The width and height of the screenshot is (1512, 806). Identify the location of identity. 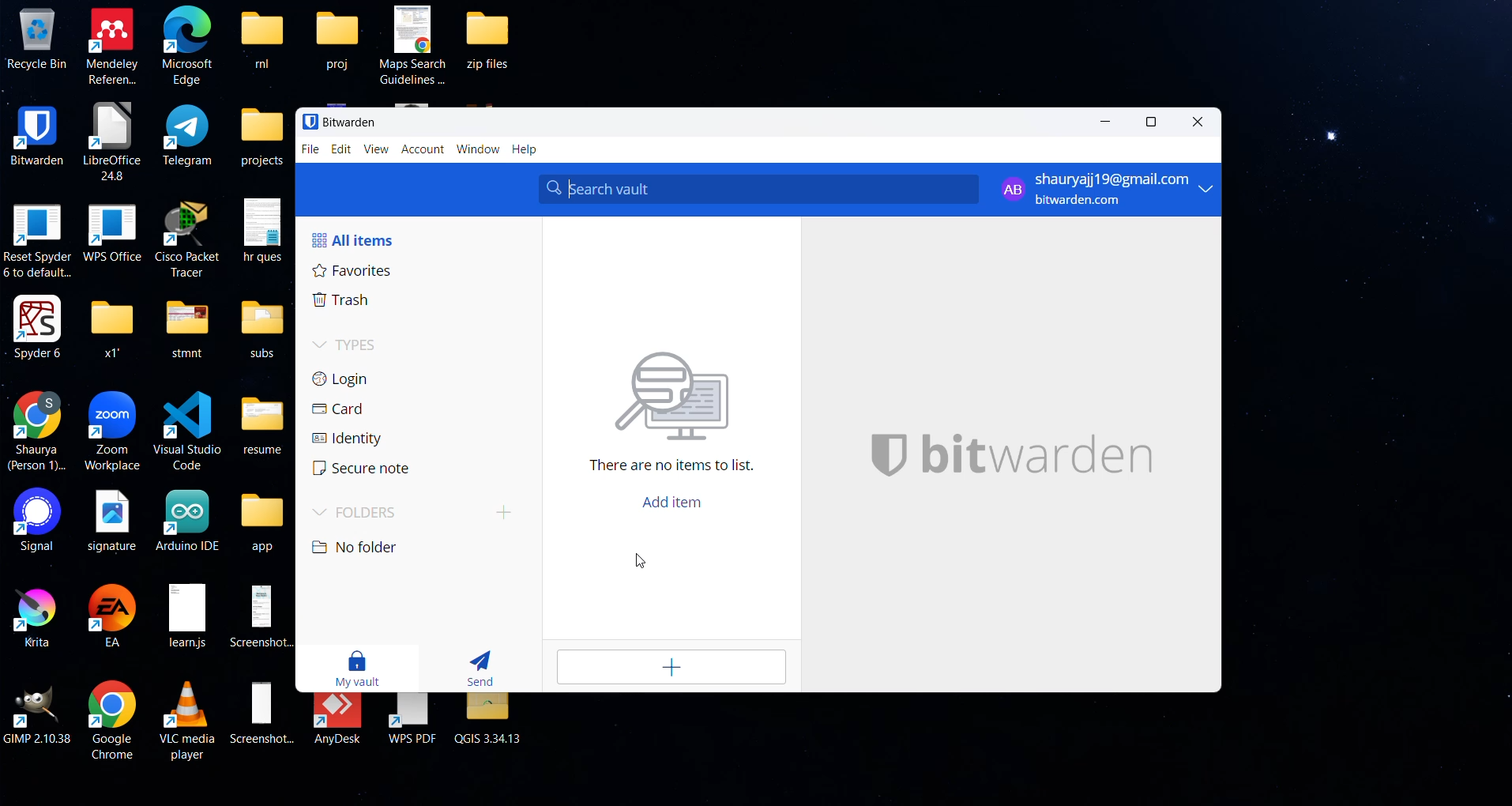
(363, 440).